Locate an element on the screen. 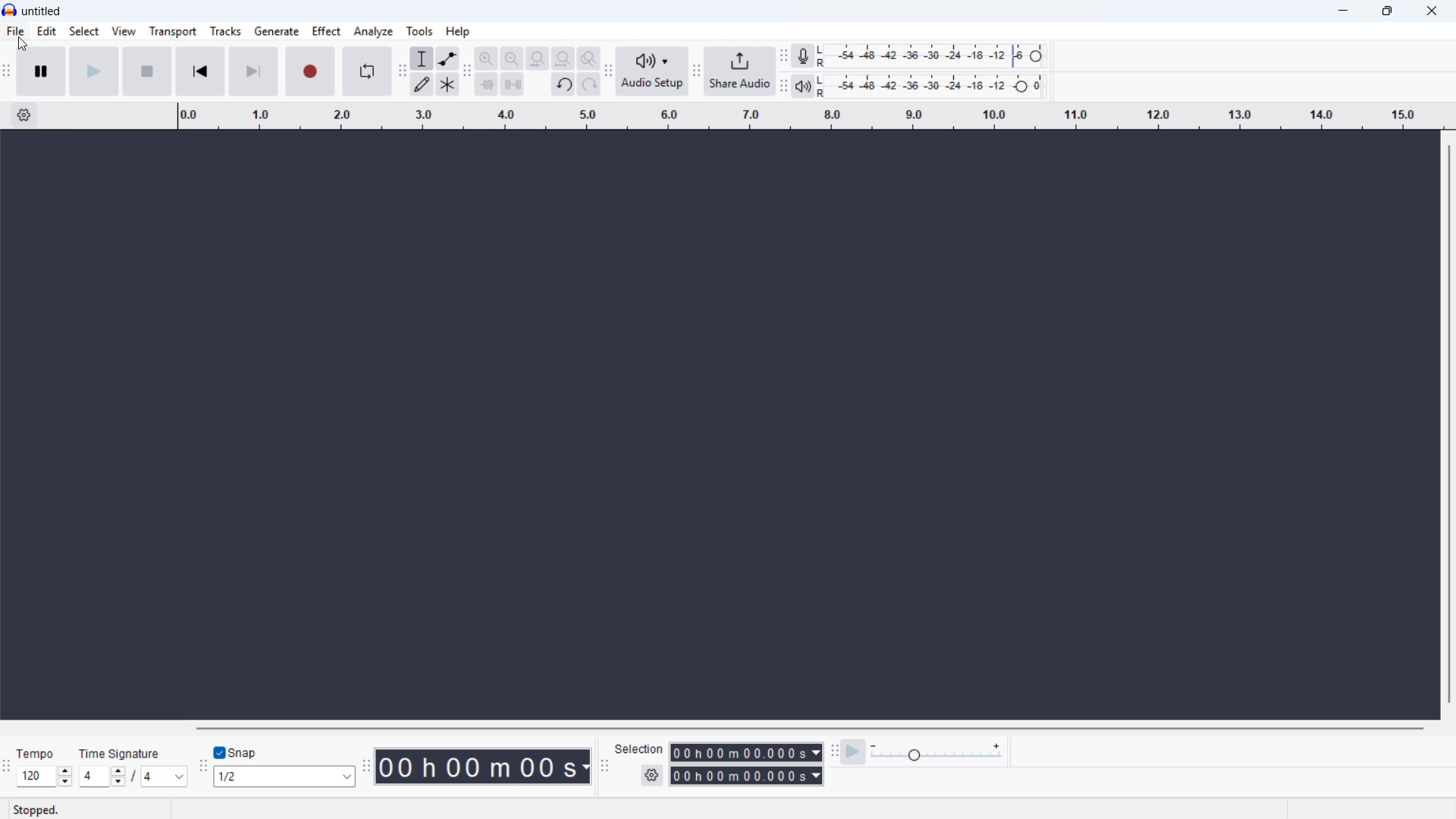 The width and height of the screenshot is (1456, 819). maximise is located at coordinates (1389, 11).